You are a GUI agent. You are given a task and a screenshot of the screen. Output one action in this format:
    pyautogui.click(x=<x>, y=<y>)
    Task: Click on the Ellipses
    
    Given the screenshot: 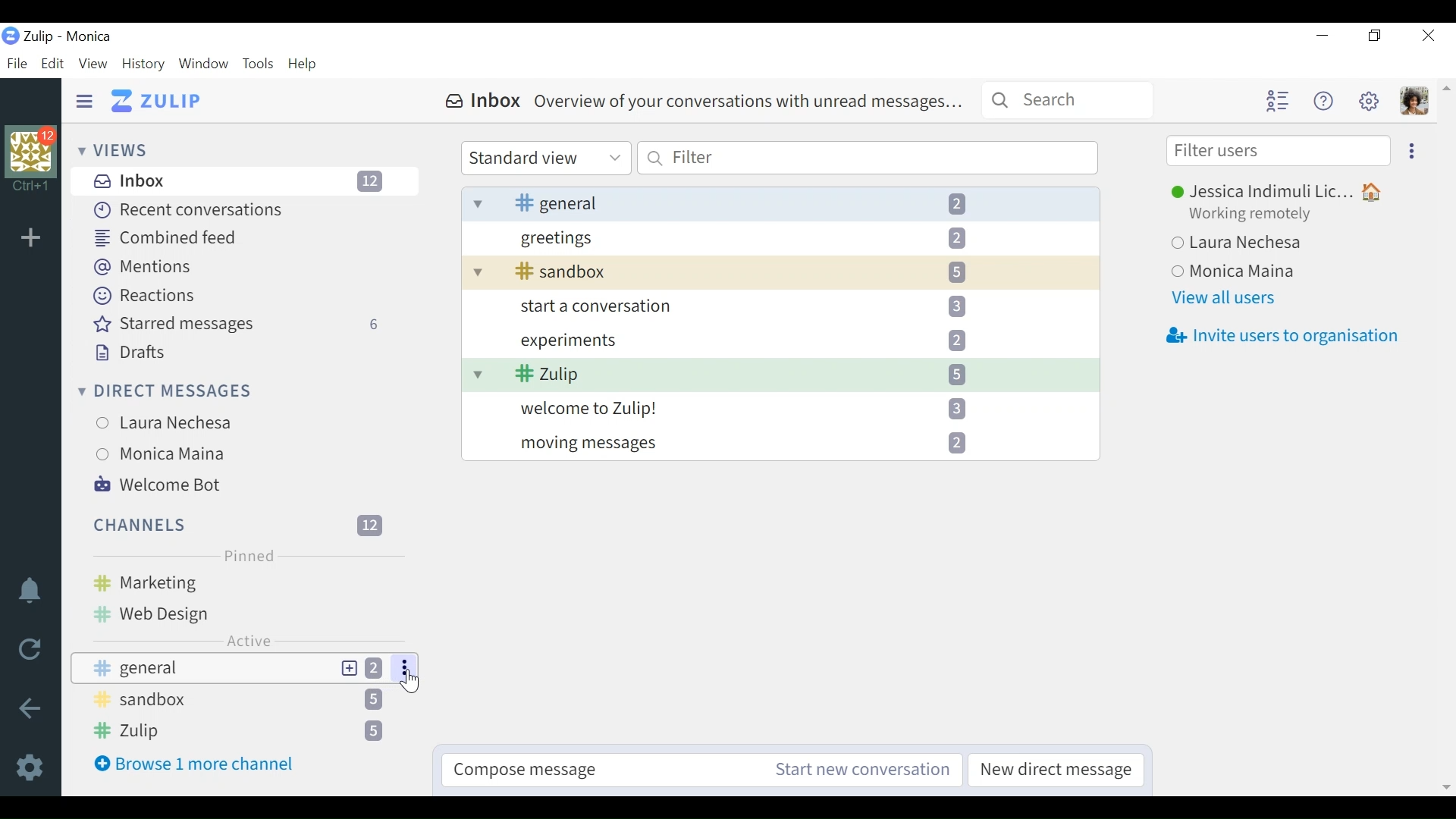 What is the action you would take?
    pyautogui.click(x=406, y=668)
    